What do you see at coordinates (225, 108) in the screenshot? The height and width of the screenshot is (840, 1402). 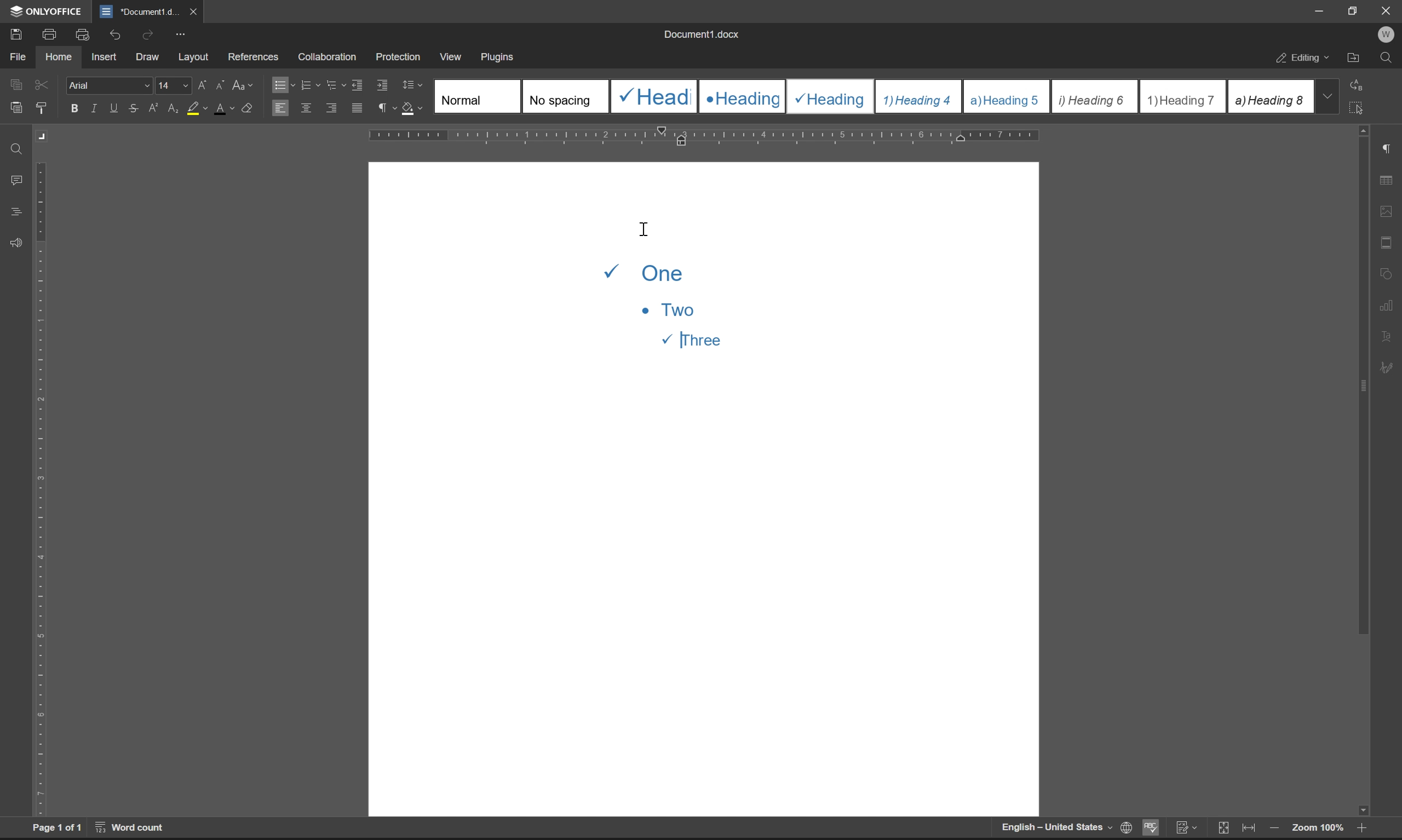 I see `font color` at bounding box center [225, 108].